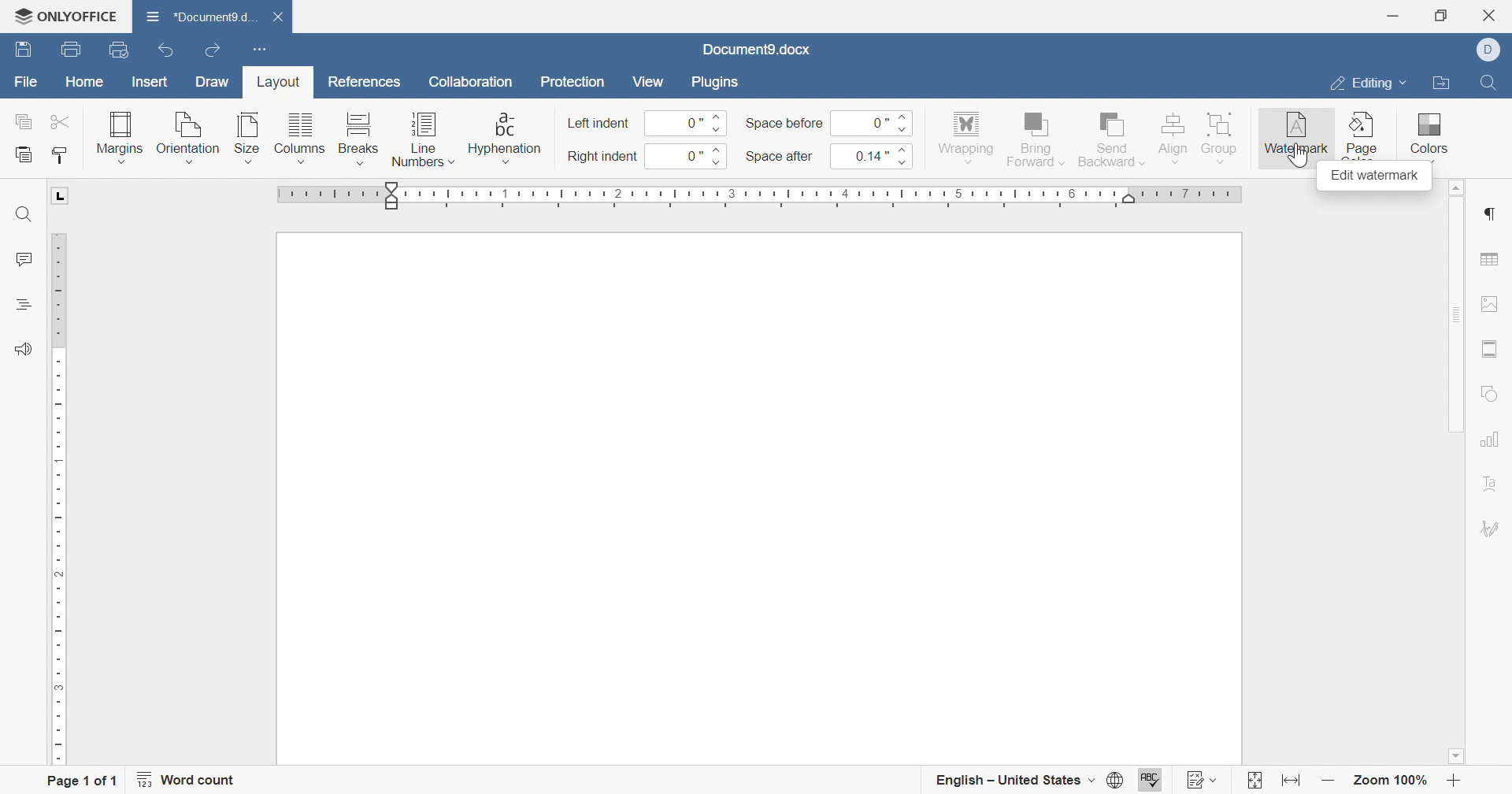 The width and height of the screenshot is (1512, 794). Describe the element at coordinates (85, 84) in the screenshot. I see `home` at that location.